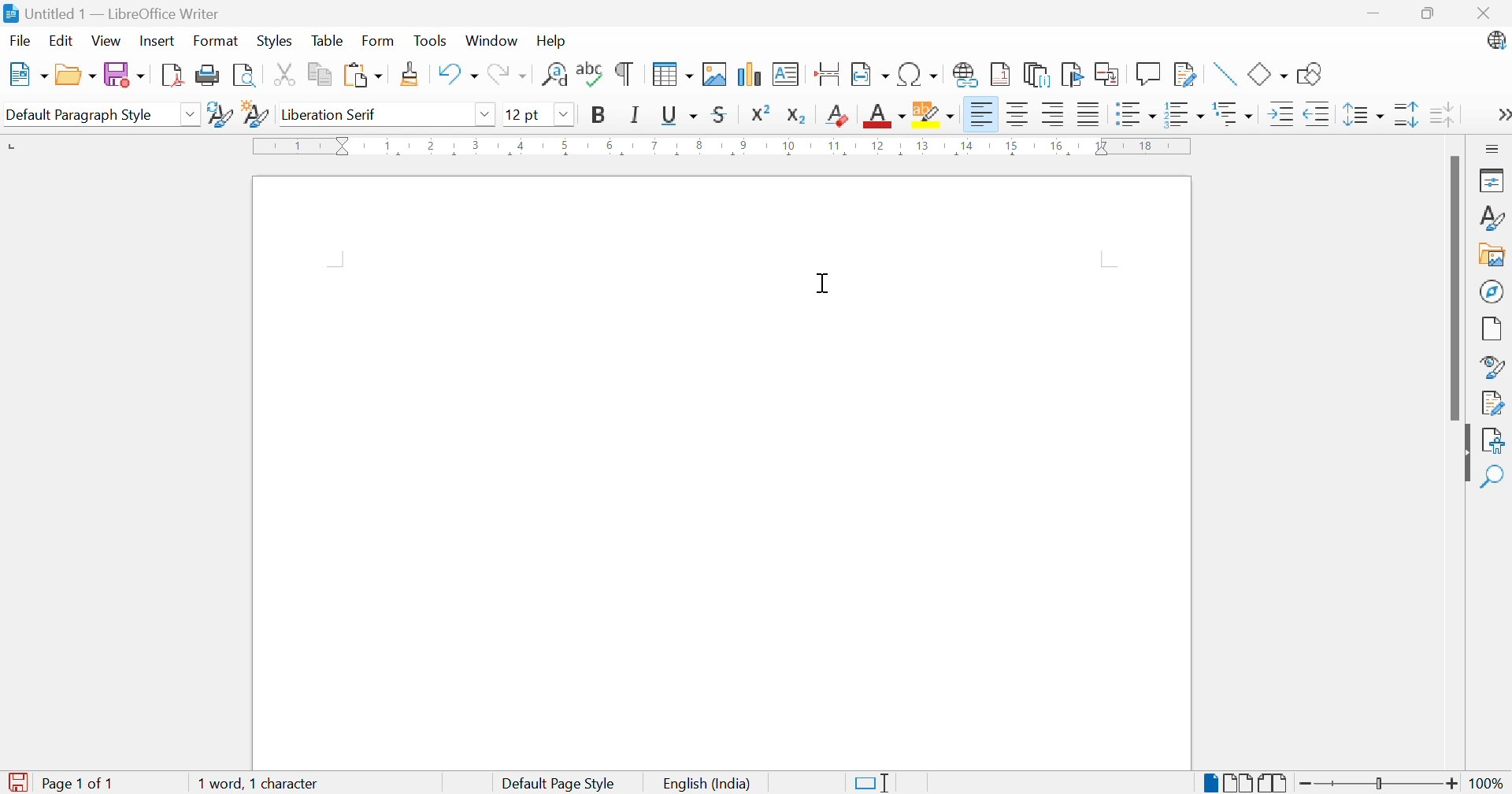 This screenshot has height=794, width=1512. I want to click on Save, so click(125, 74).